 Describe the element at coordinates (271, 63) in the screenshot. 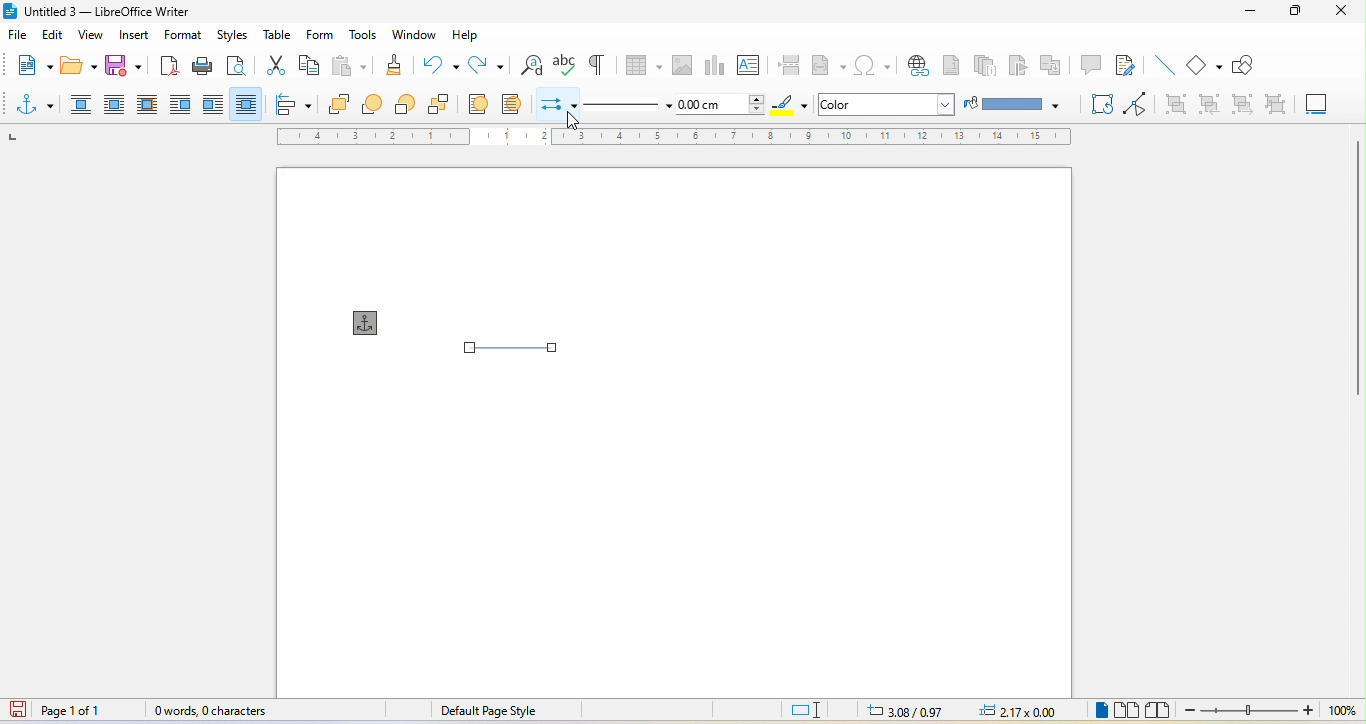

I see `cut` at that location.